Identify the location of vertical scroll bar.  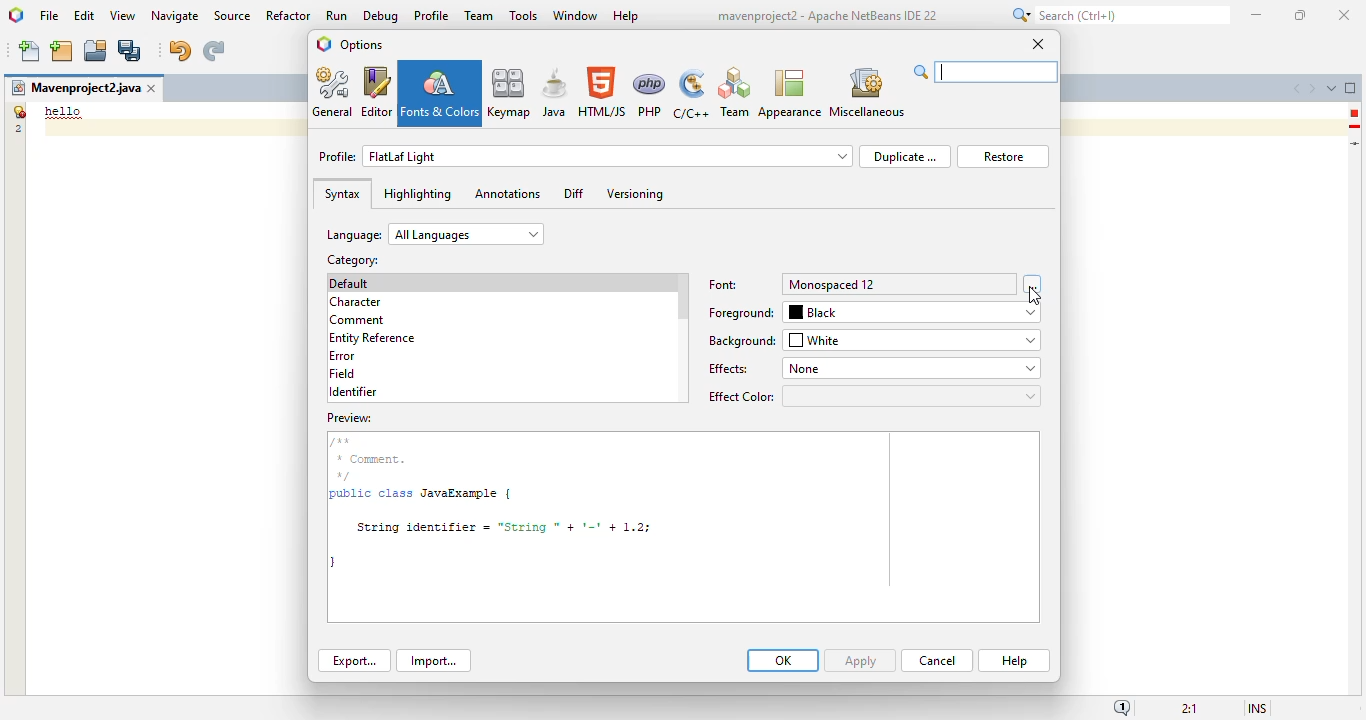
(683, 298).